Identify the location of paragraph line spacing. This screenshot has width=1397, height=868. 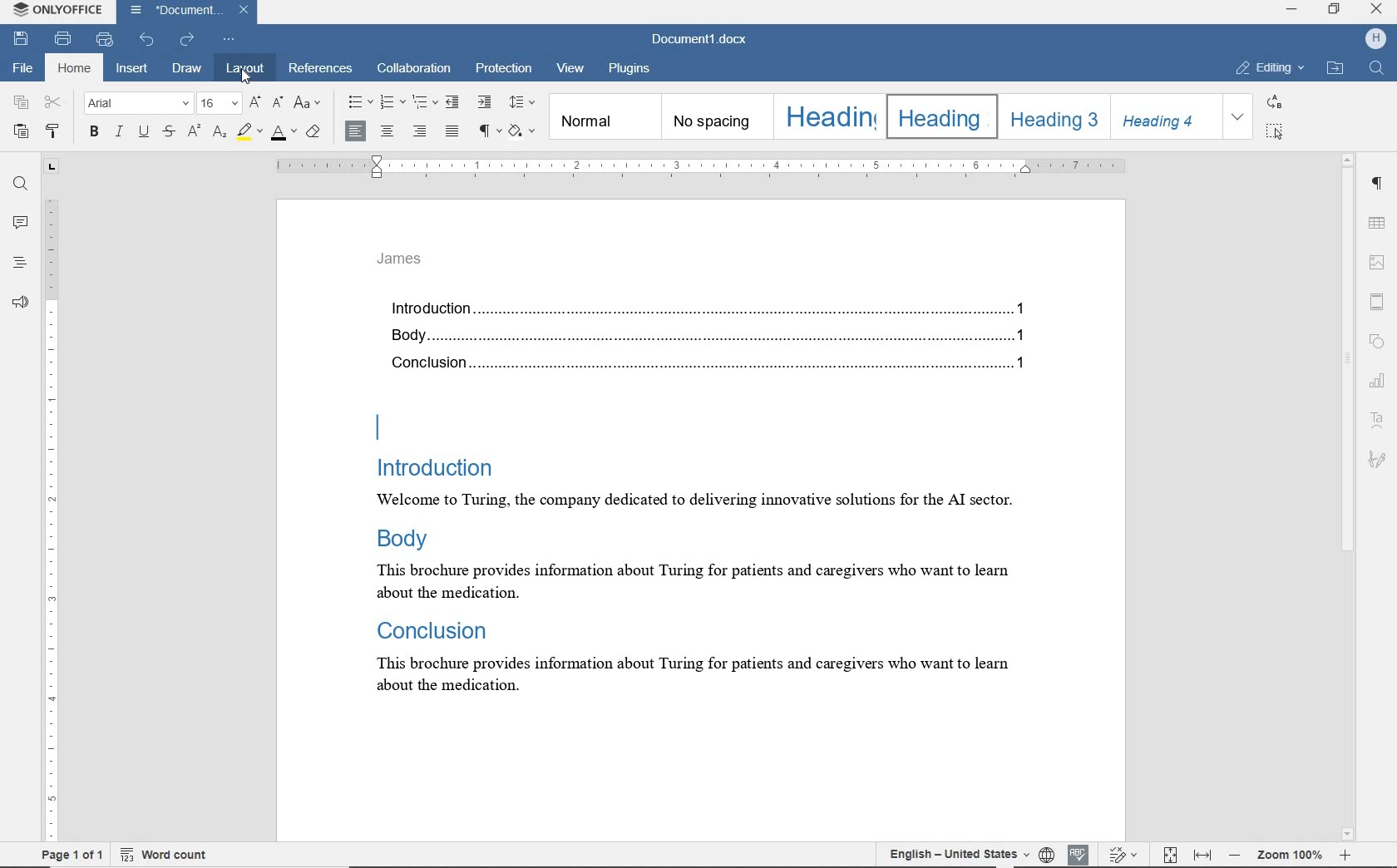
(521, 101).